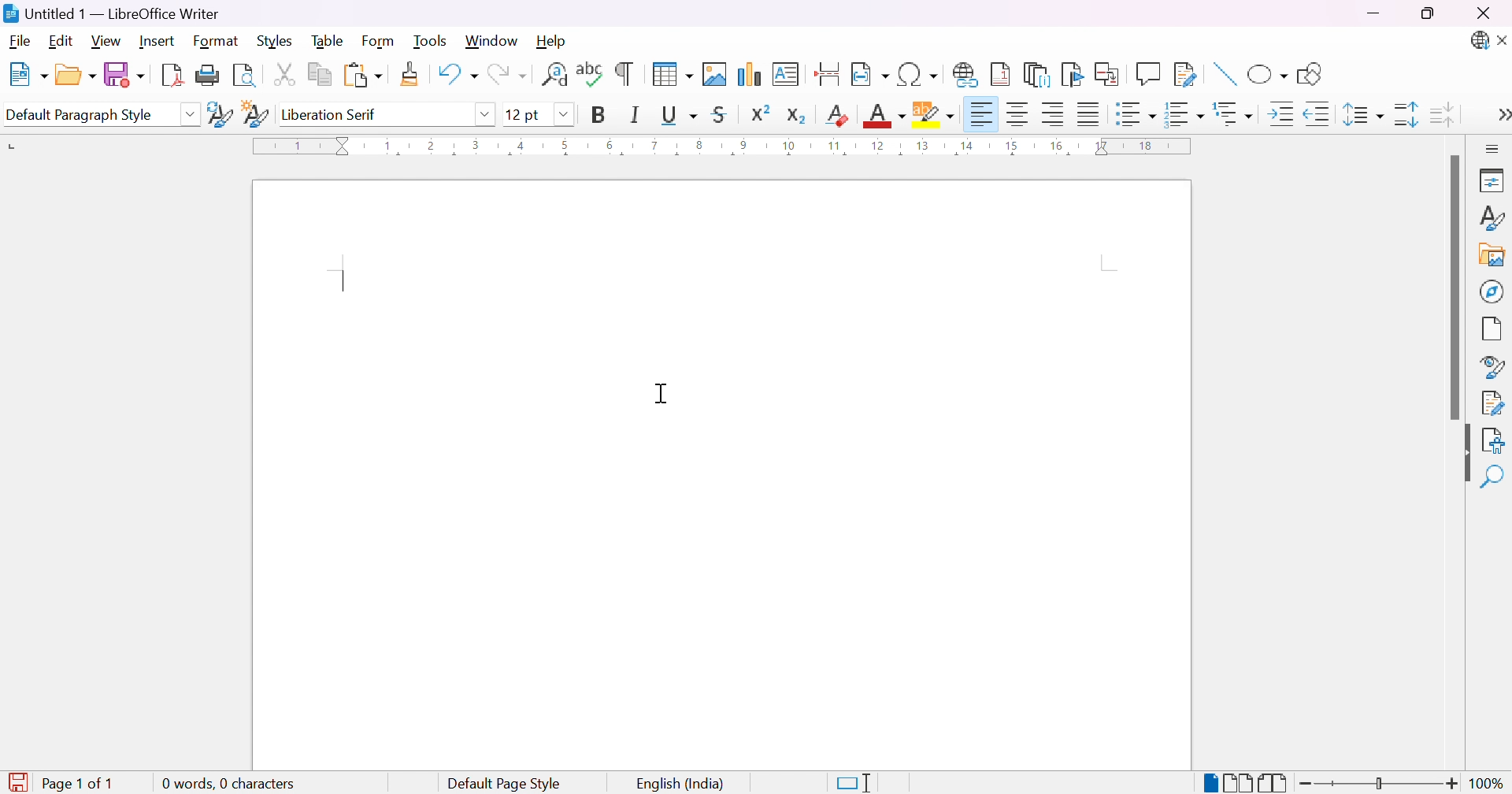 Image resolution: width=1512 pixels, height=794 pixels. I want to click on Decrease paragraph spacing, so click(1440, 113).